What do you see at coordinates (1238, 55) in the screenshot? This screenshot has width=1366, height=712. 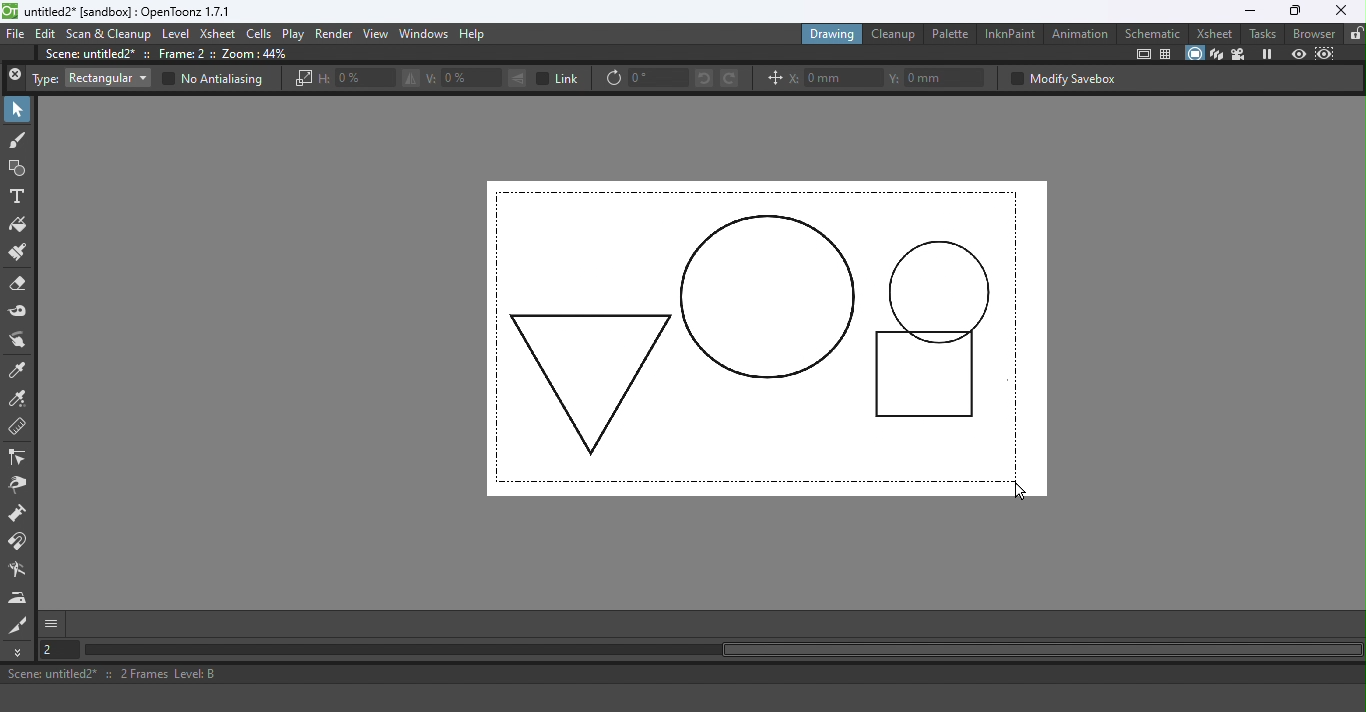 I see `Camera view` at bounding box center [1238, 55].